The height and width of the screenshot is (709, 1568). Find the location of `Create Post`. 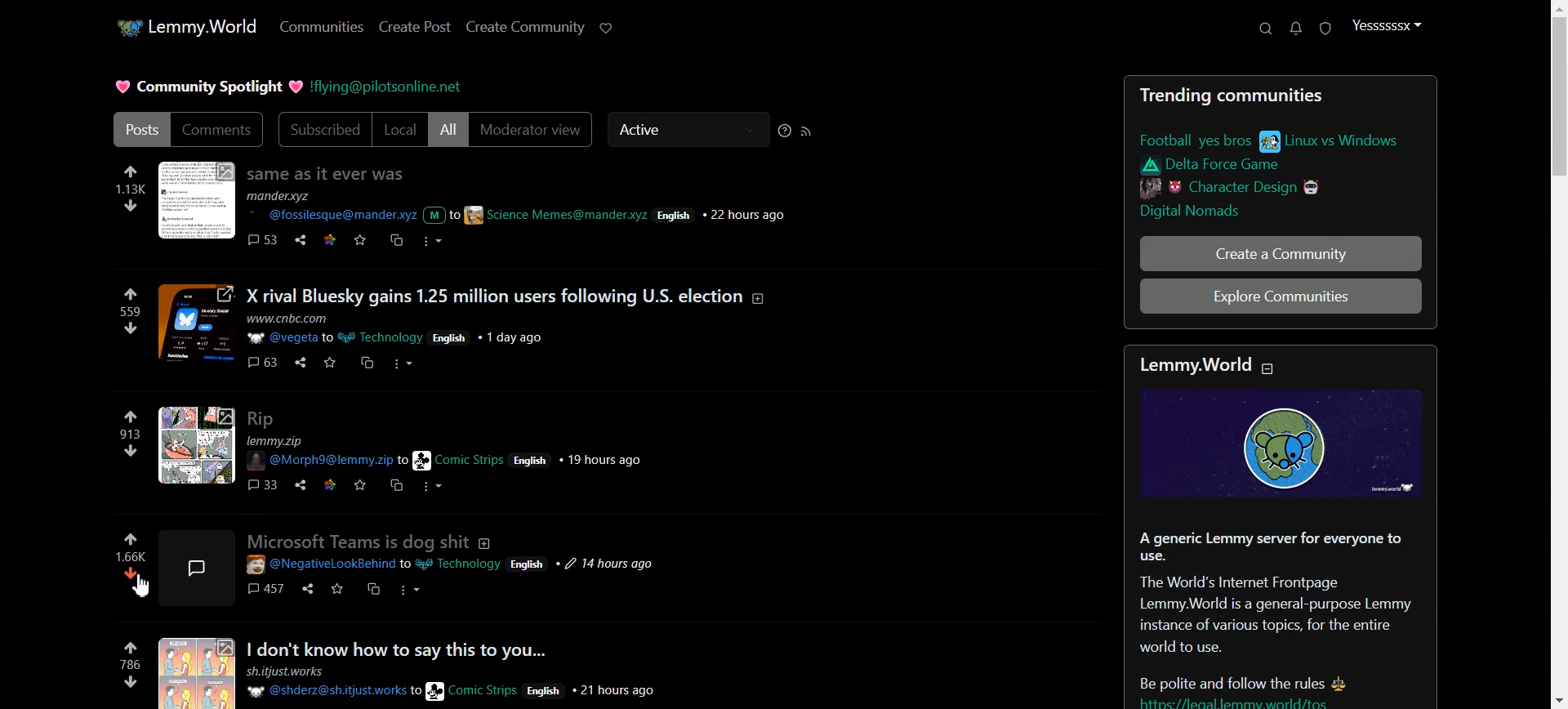

Create Post is located at coordinates (415, 26).